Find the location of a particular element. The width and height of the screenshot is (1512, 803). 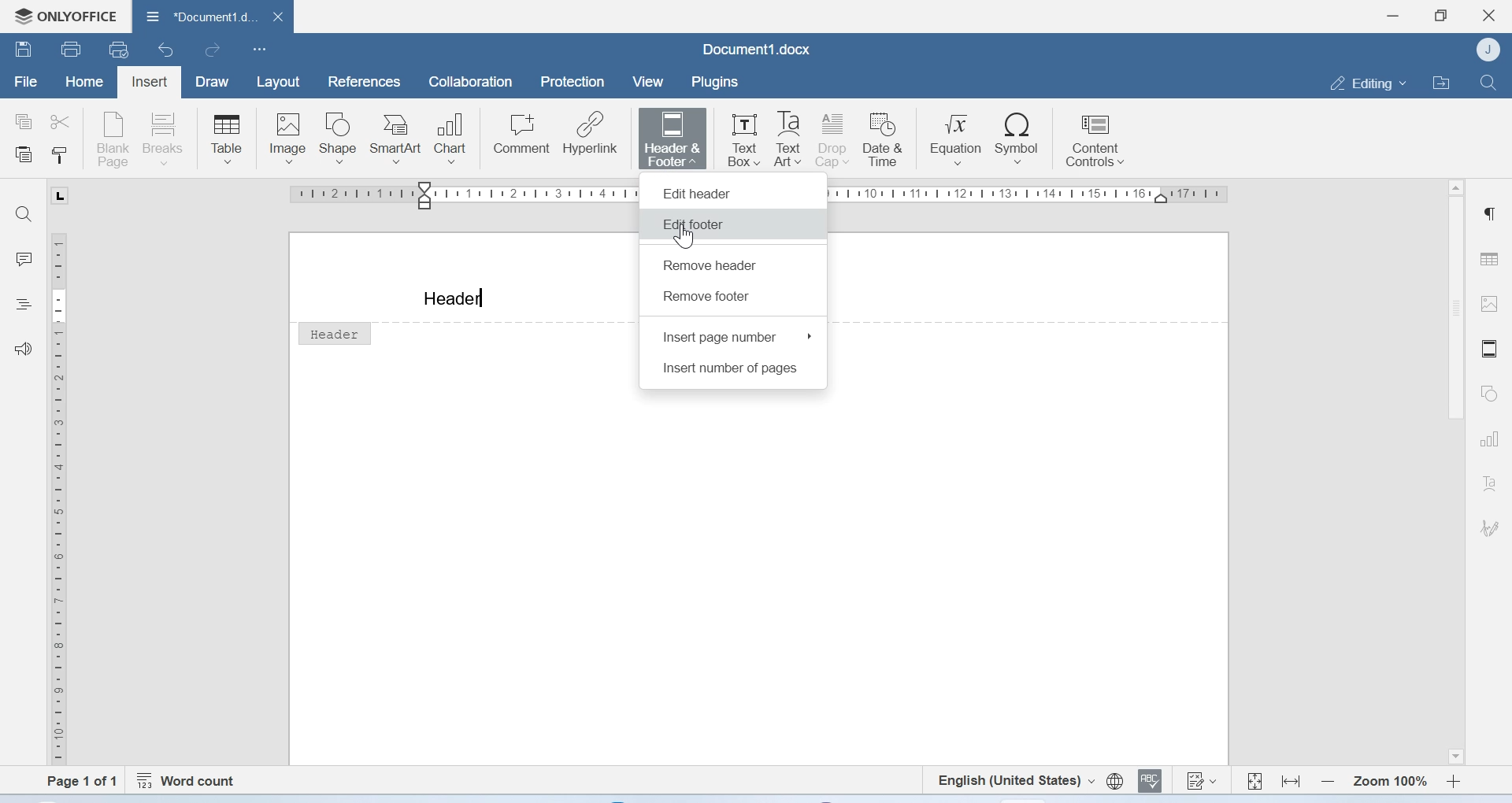

Header is located at coordinates (334, 332).